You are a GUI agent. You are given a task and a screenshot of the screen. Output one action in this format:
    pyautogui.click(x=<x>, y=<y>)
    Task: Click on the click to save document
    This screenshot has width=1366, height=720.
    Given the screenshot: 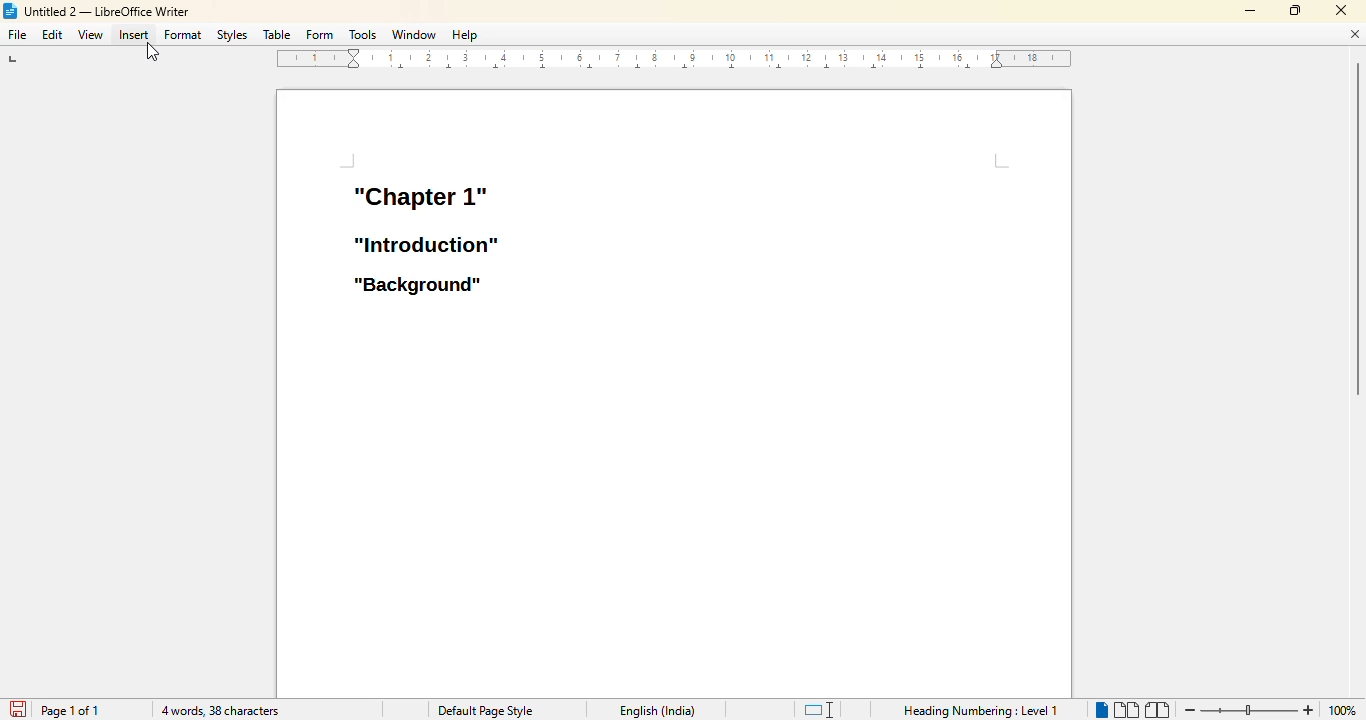 What is the action you would take?
    pyautogui.click(x=17, y=709)
    